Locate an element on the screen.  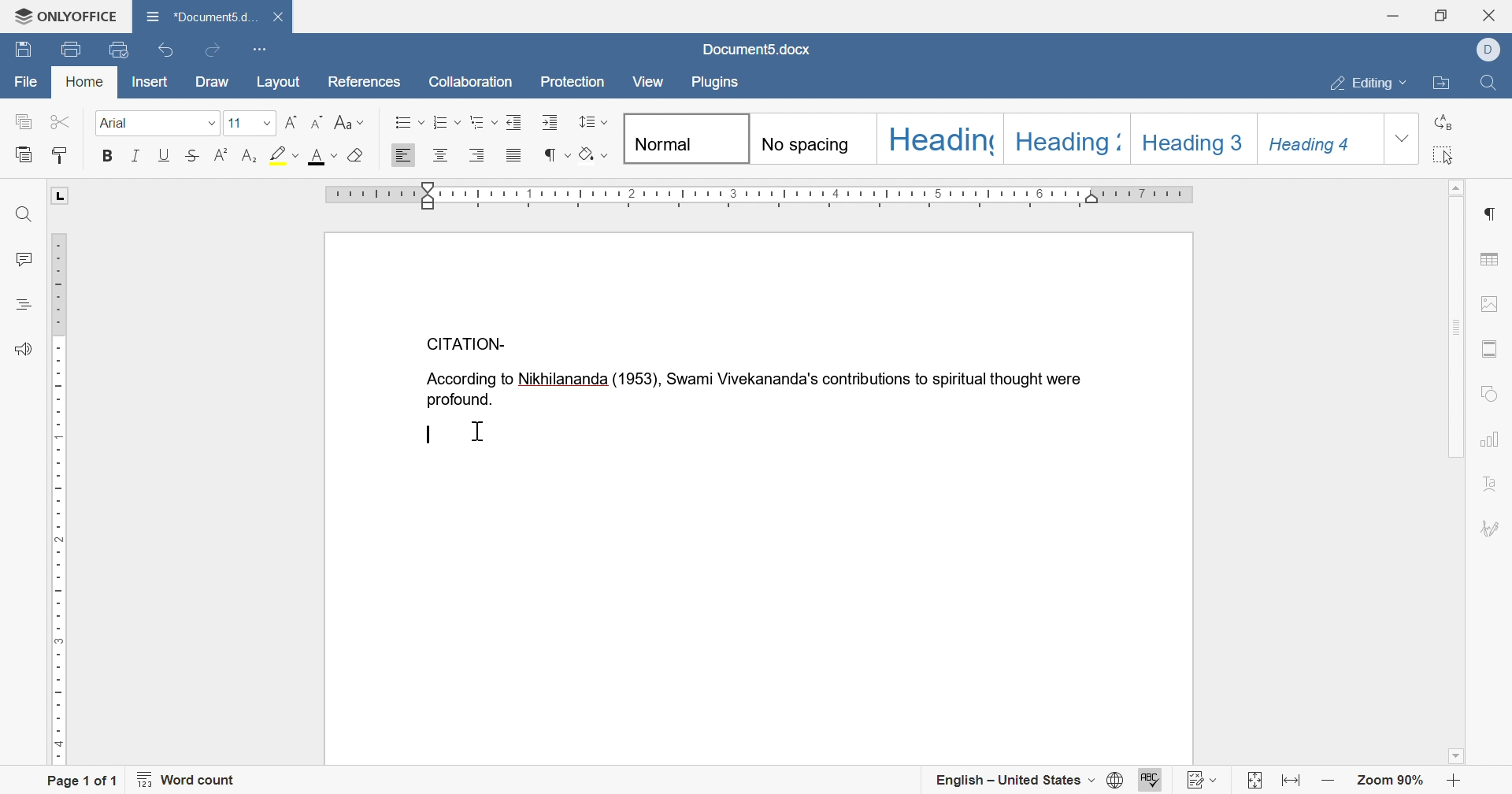
protection is located at coordinates (576, 82).